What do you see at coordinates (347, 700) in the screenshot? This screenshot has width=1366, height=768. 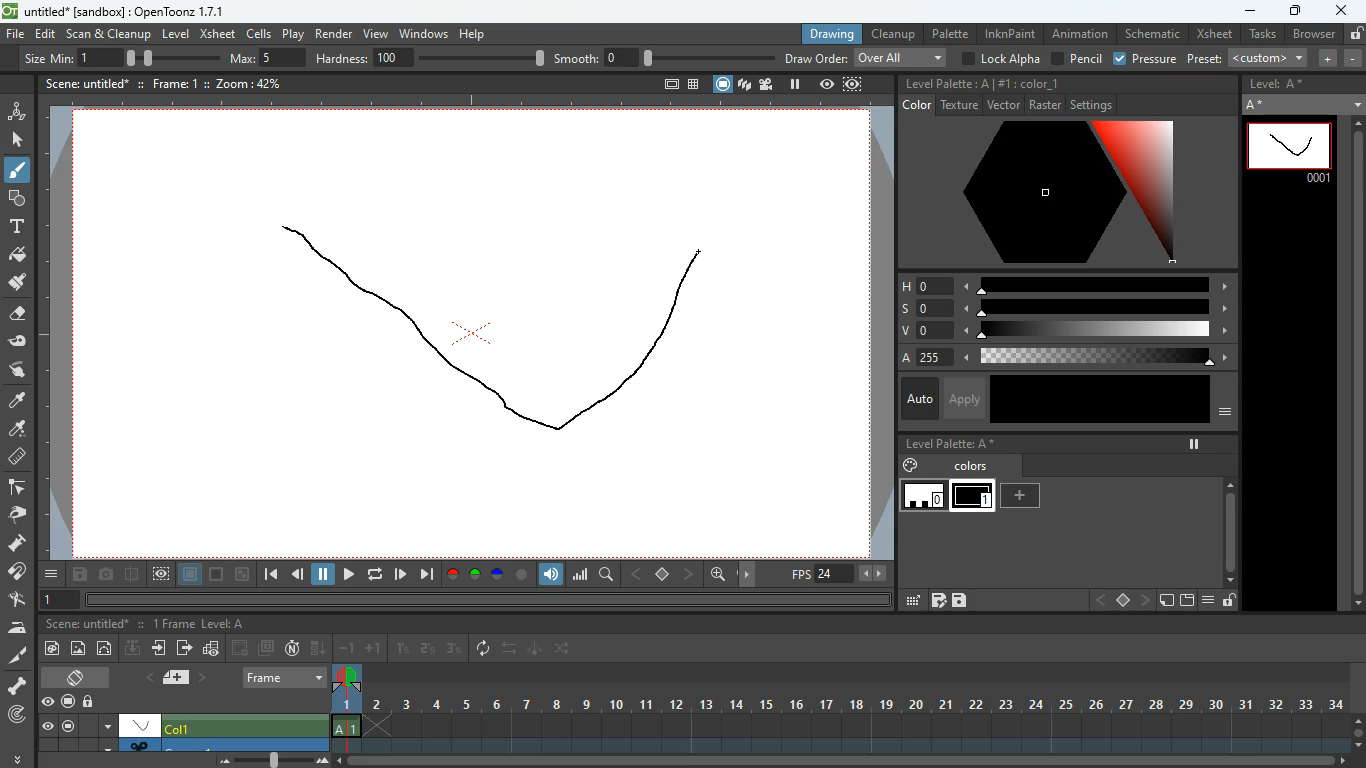 I see `selected frame` at bounding box center [347, 700].